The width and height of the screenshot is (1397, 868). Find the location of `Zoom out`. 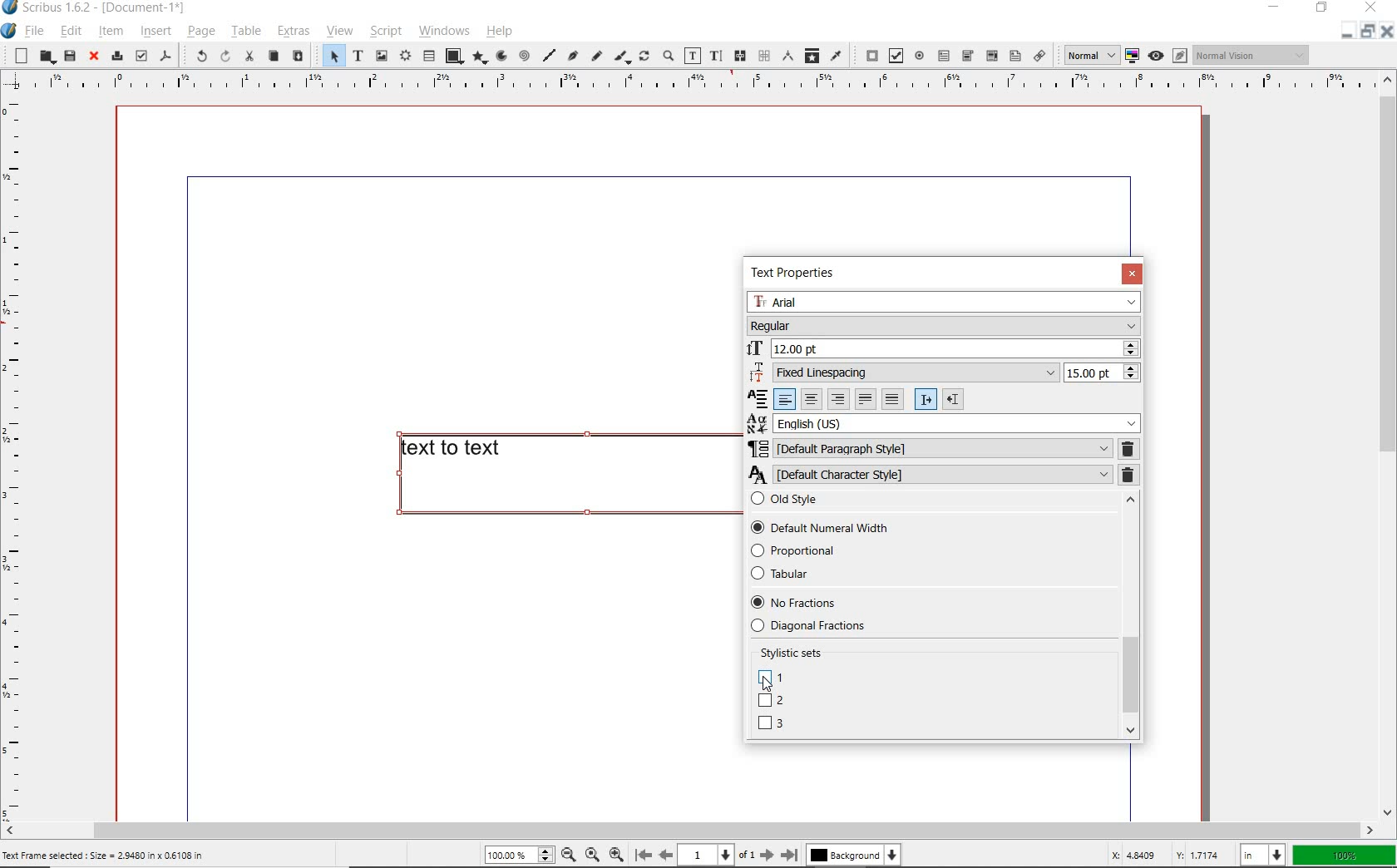

Zoom out is located at coordinates (565, 855).